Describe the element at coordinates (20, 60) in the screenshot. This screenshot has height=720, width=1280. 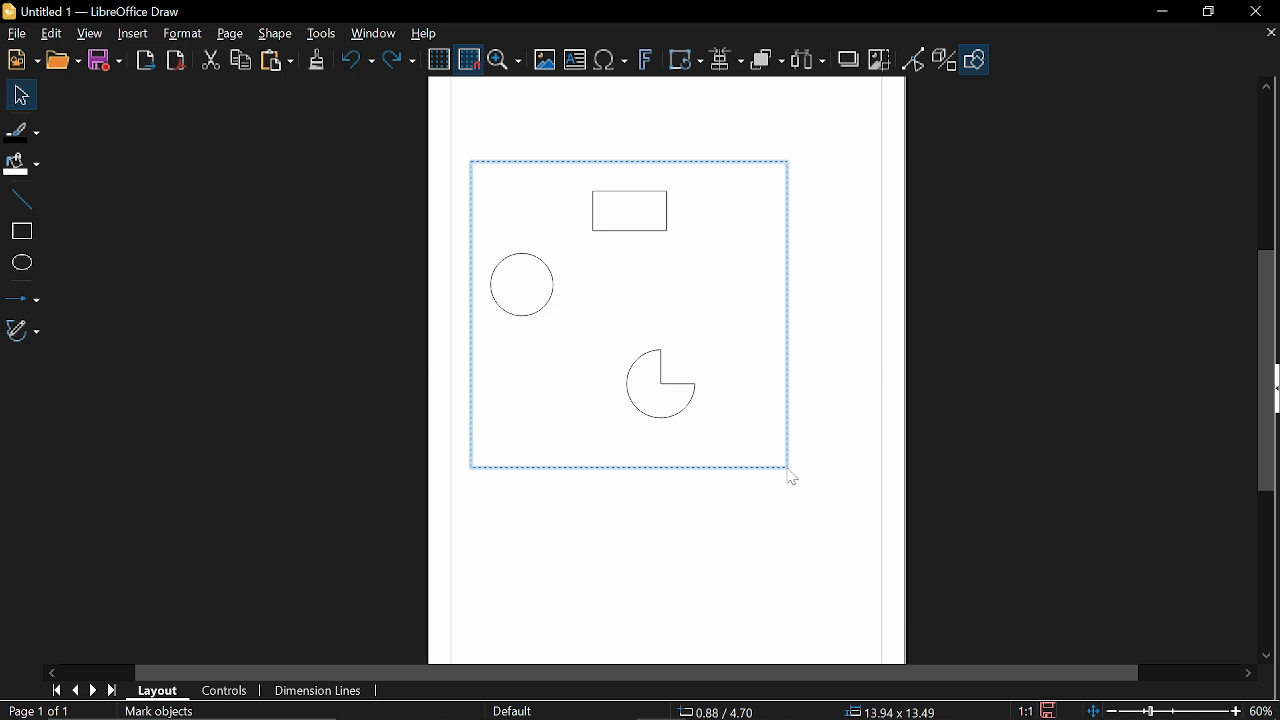
I see `New` at that location.